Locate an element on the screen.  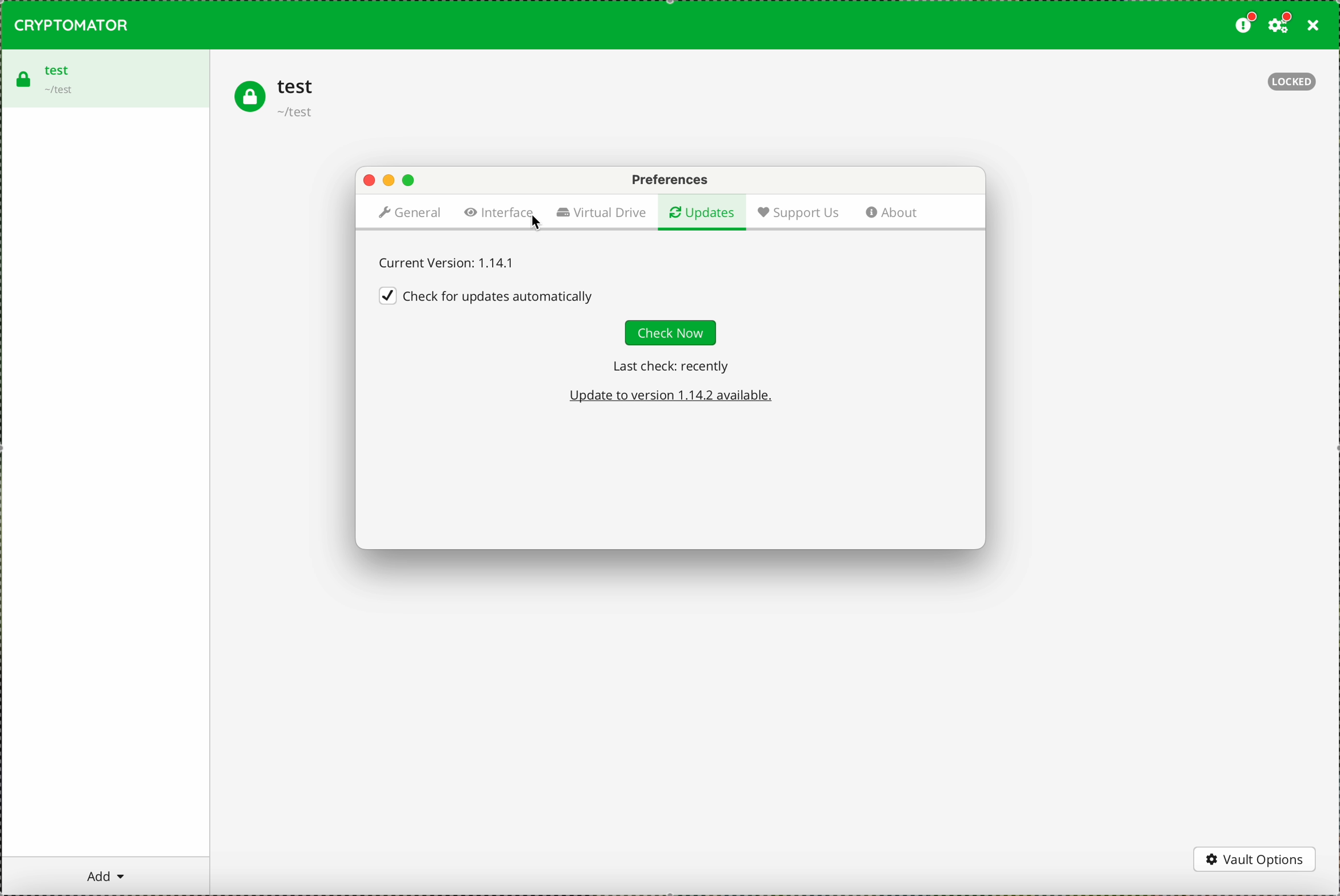
check for updates automatically is located at coordinates (487, 295).